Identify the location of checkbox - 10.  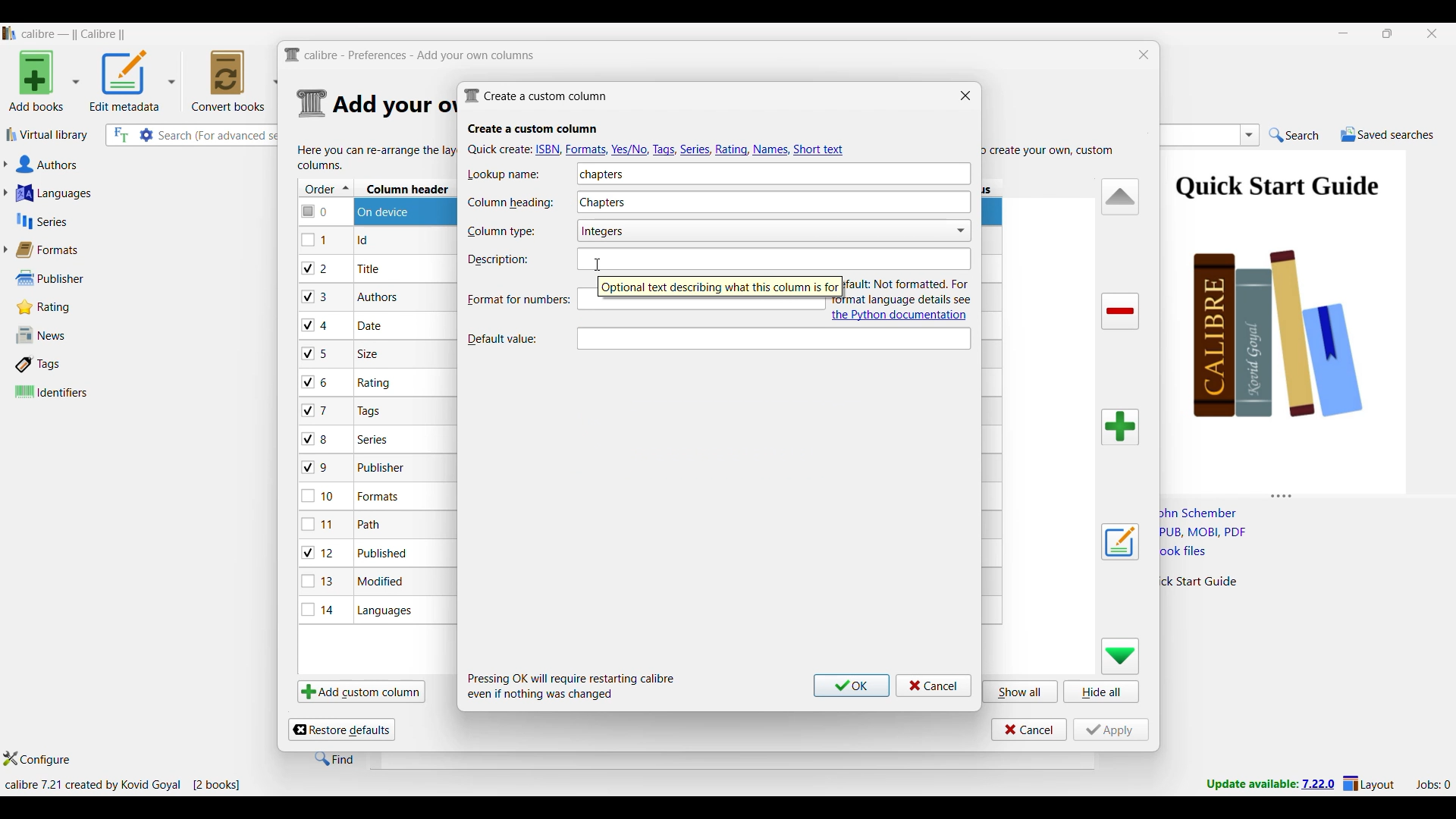
(321, 497).